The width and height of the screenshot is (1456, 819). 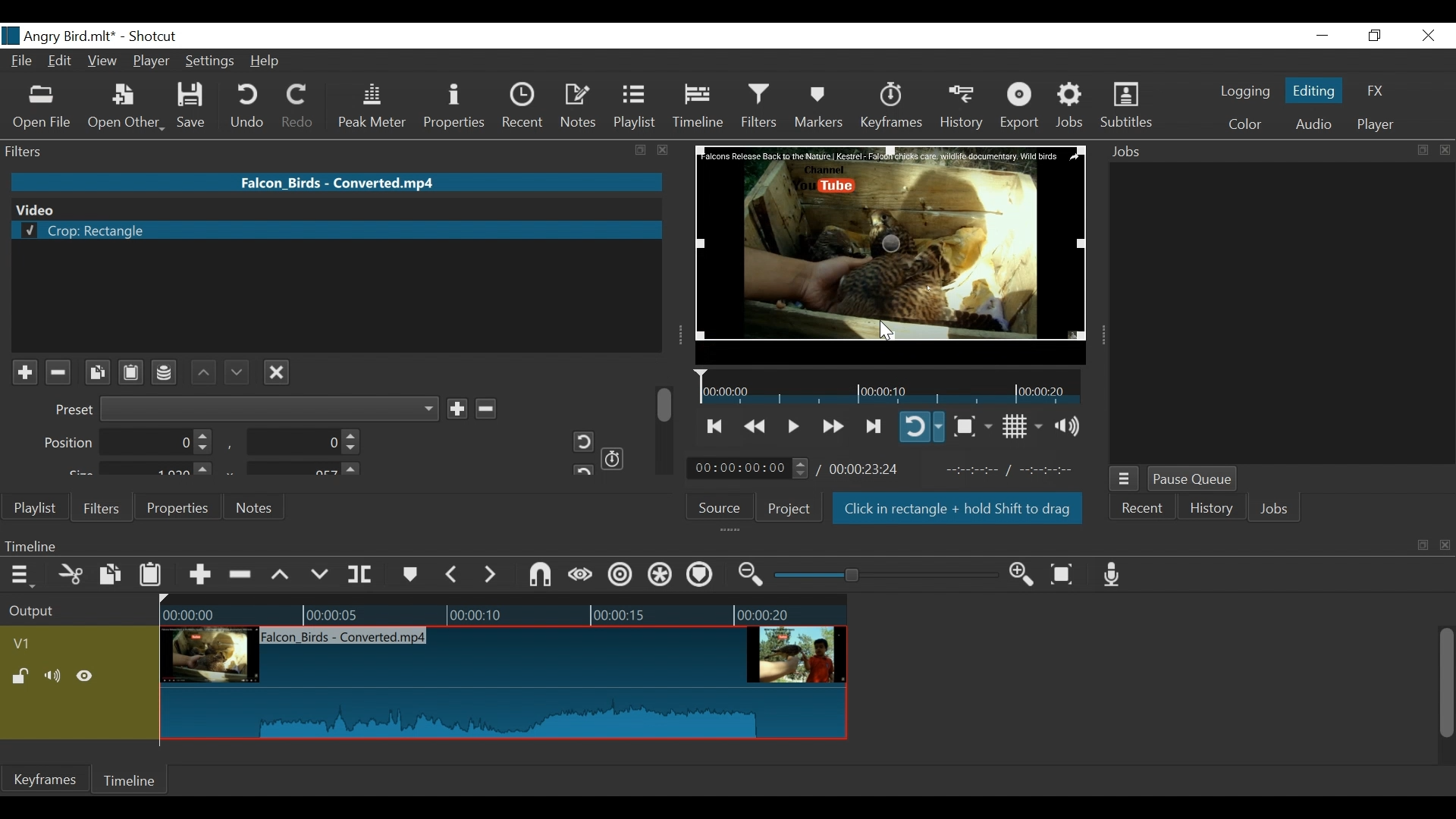 What do you see at coordinates (152, 578) in the screenshot?
I see `Paste` at bounding box center [152, 578].